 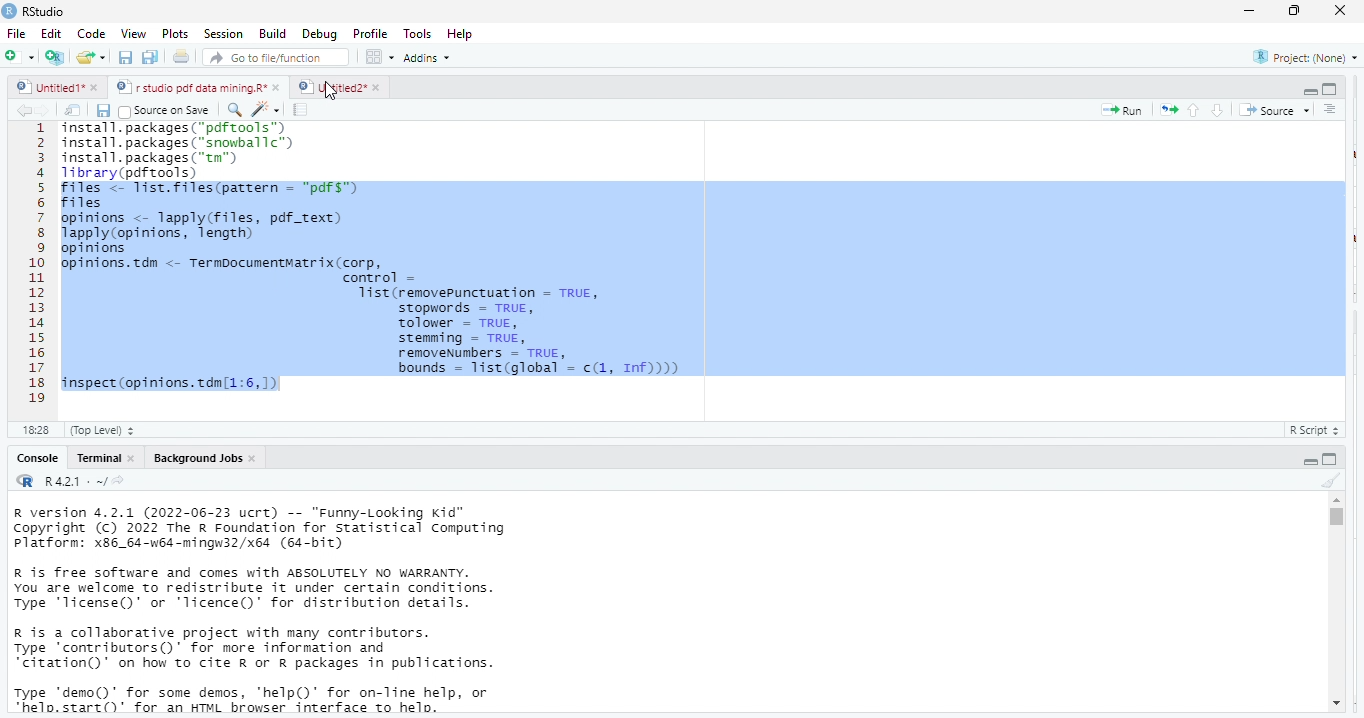 What do you see at coordinates (35, 428) in the screenshot?
I see `3.23` at bounding box center [35, 428].